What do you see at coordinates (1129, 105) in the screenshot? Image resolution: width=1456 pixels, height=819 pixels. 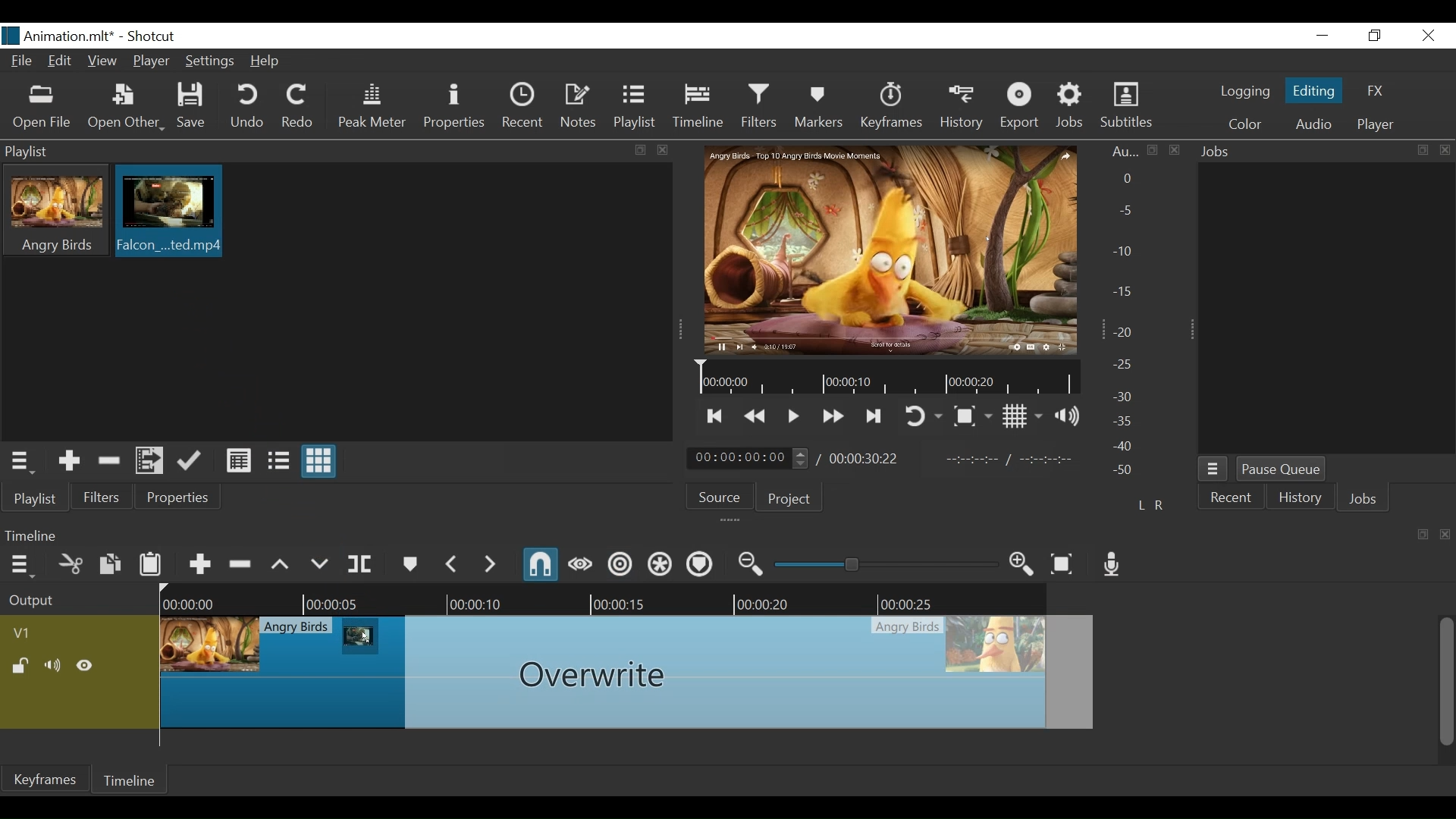 I see `Subtitles` at bounding box center [1129, 105].